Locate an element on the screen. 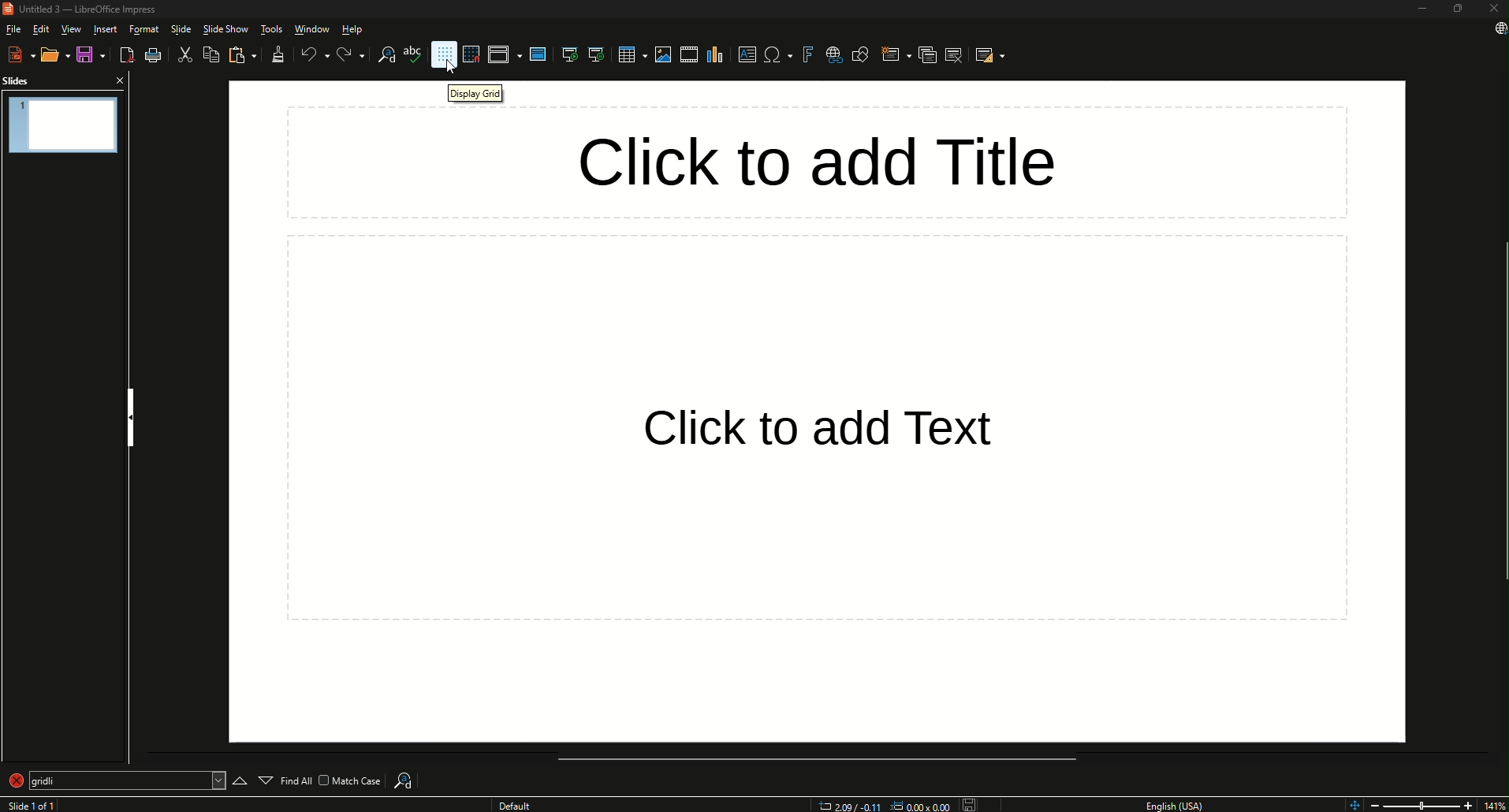 The image size is (1509, 812). Dimensions is located at coordinates (879, 805).